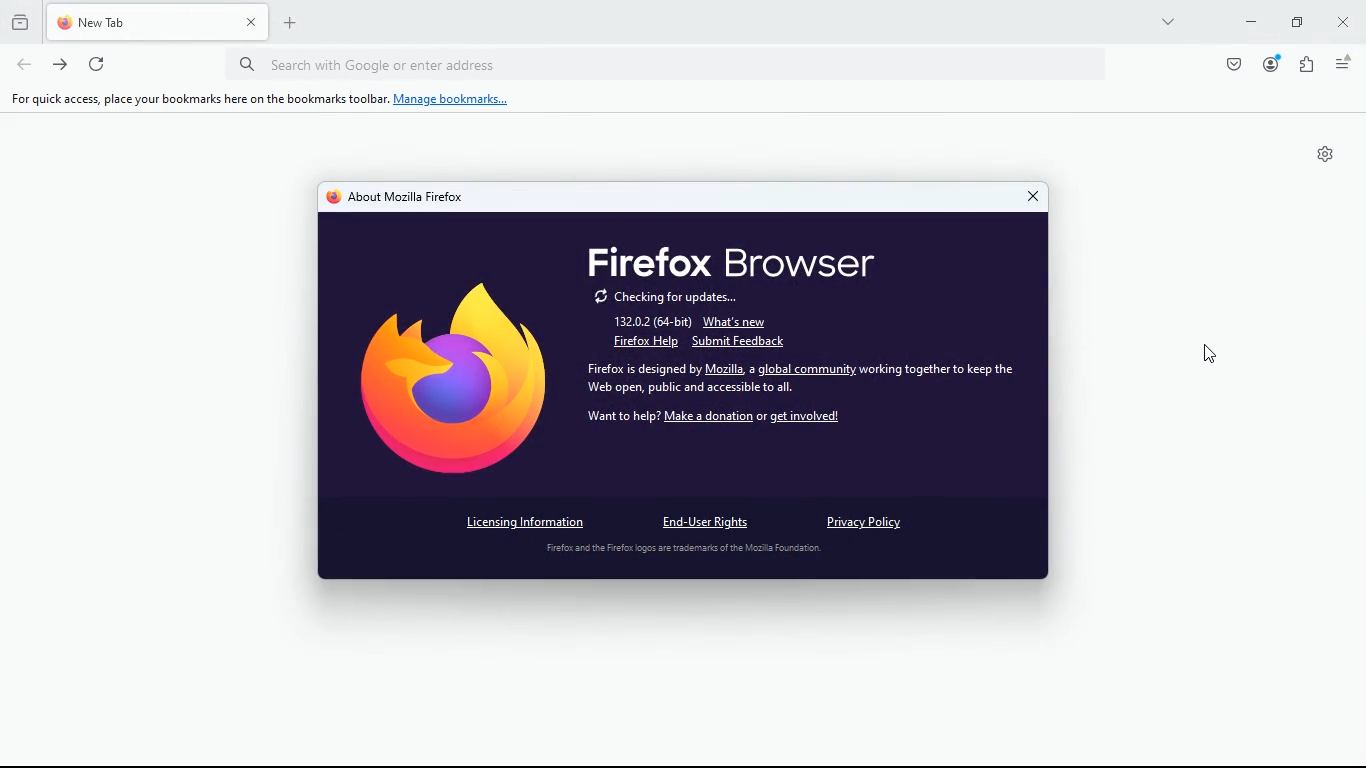  What do you see at coordinates (1344, 65) in the screenshot?
I see `menu` at bounding box center [1344, 65].